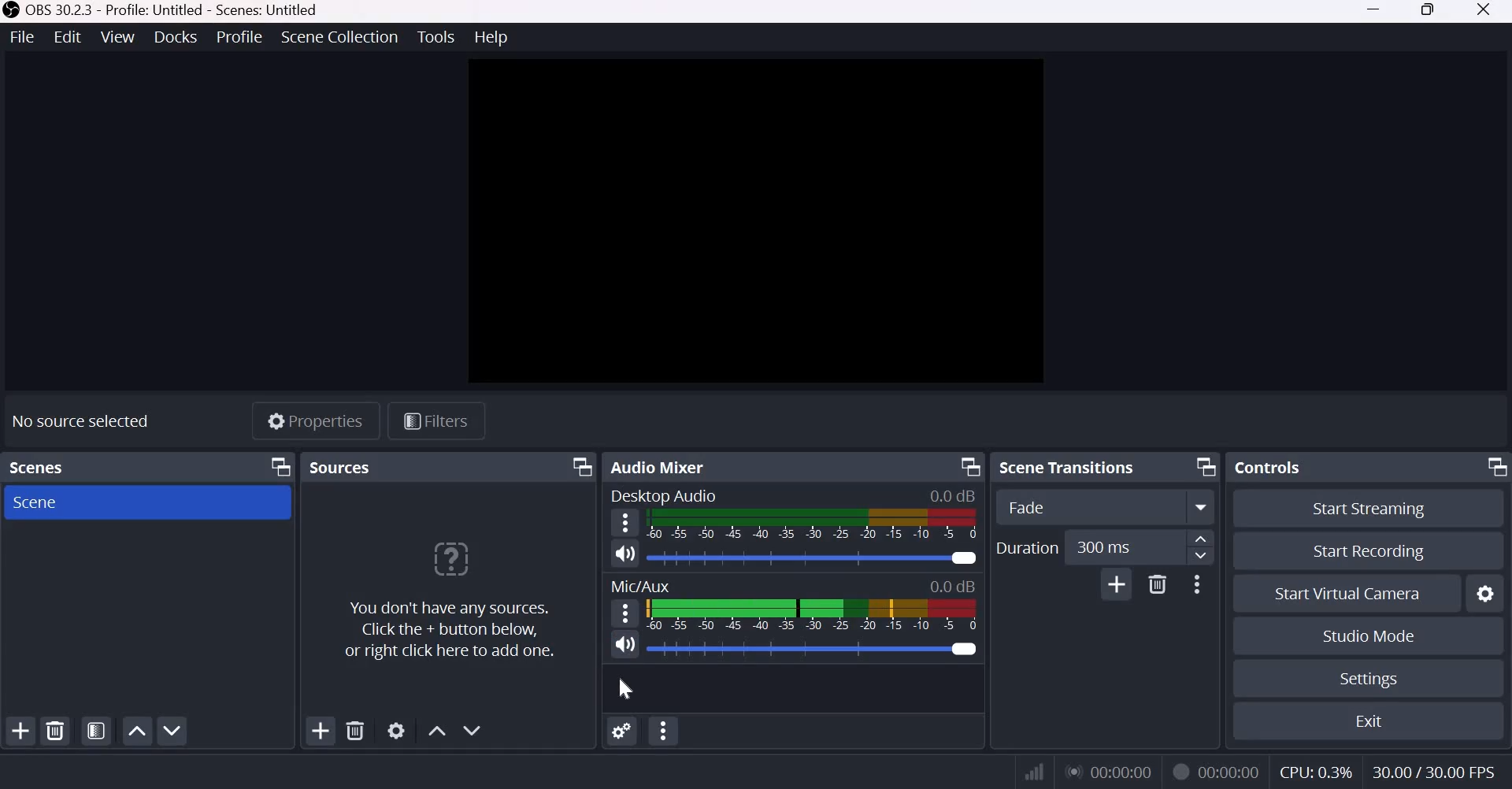  I want to click on Docks, so click(176, 39).